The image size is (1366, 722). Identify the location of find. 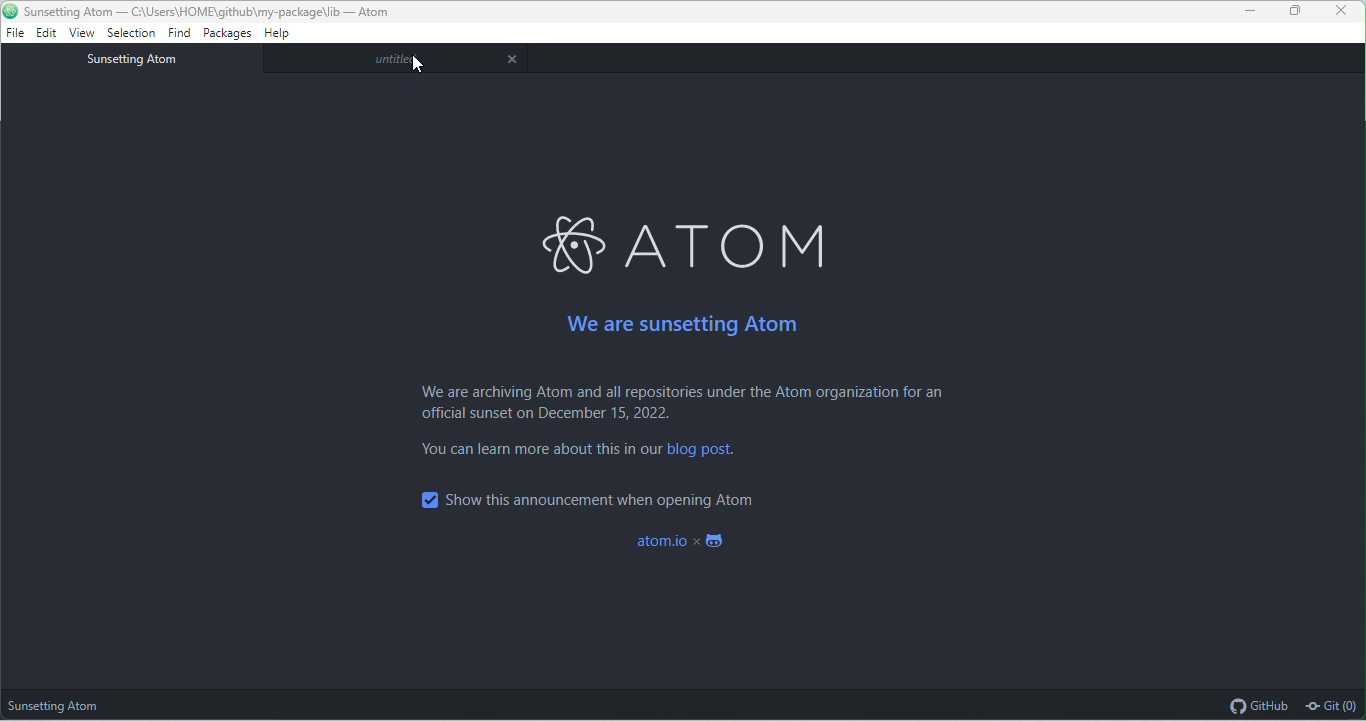
(179, 34).